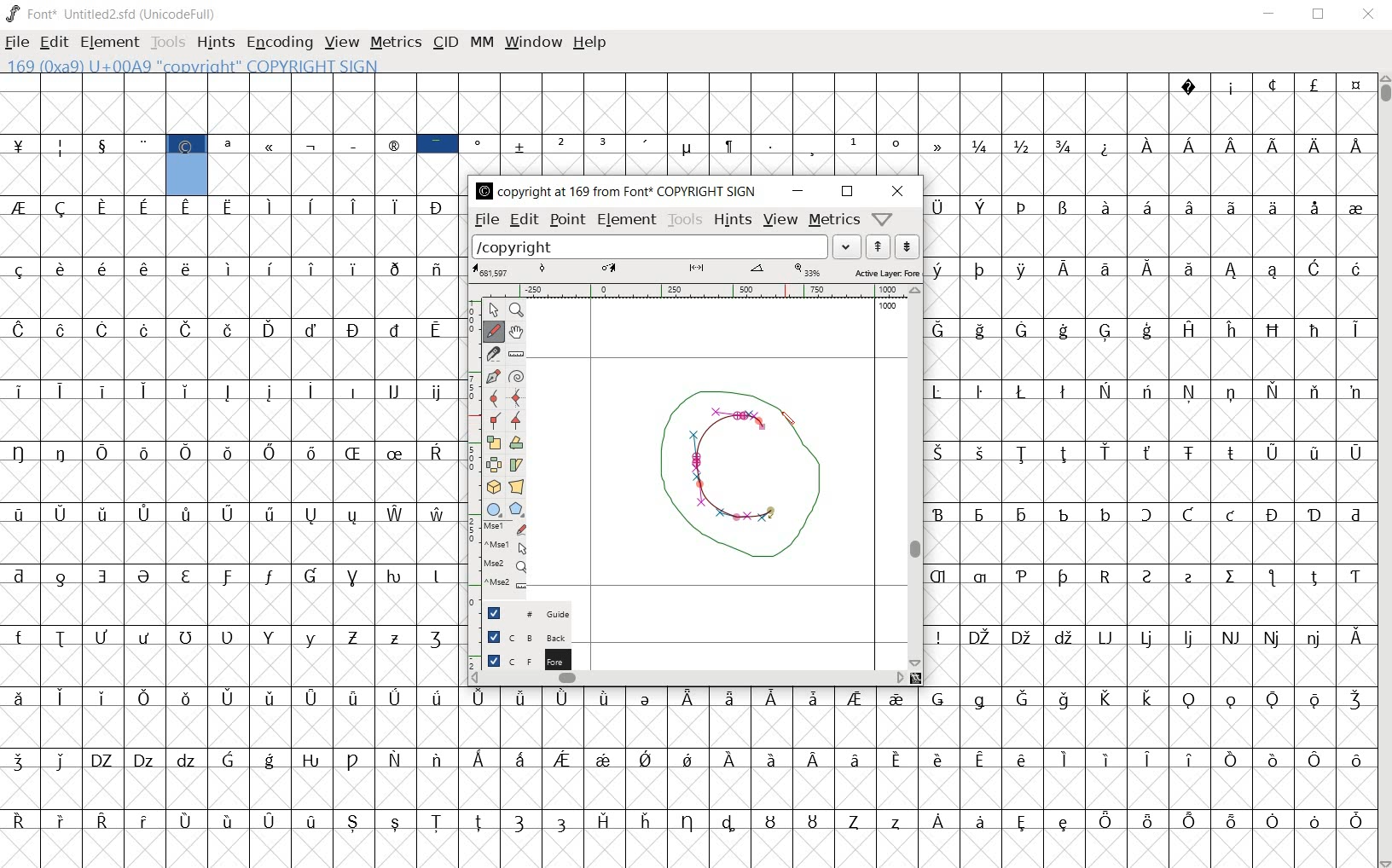 The image size is (1392, 868). What do you see at coordinates (917, 775) in the screenshot?
I see `glyph characters` at bounding box center [917, 775].